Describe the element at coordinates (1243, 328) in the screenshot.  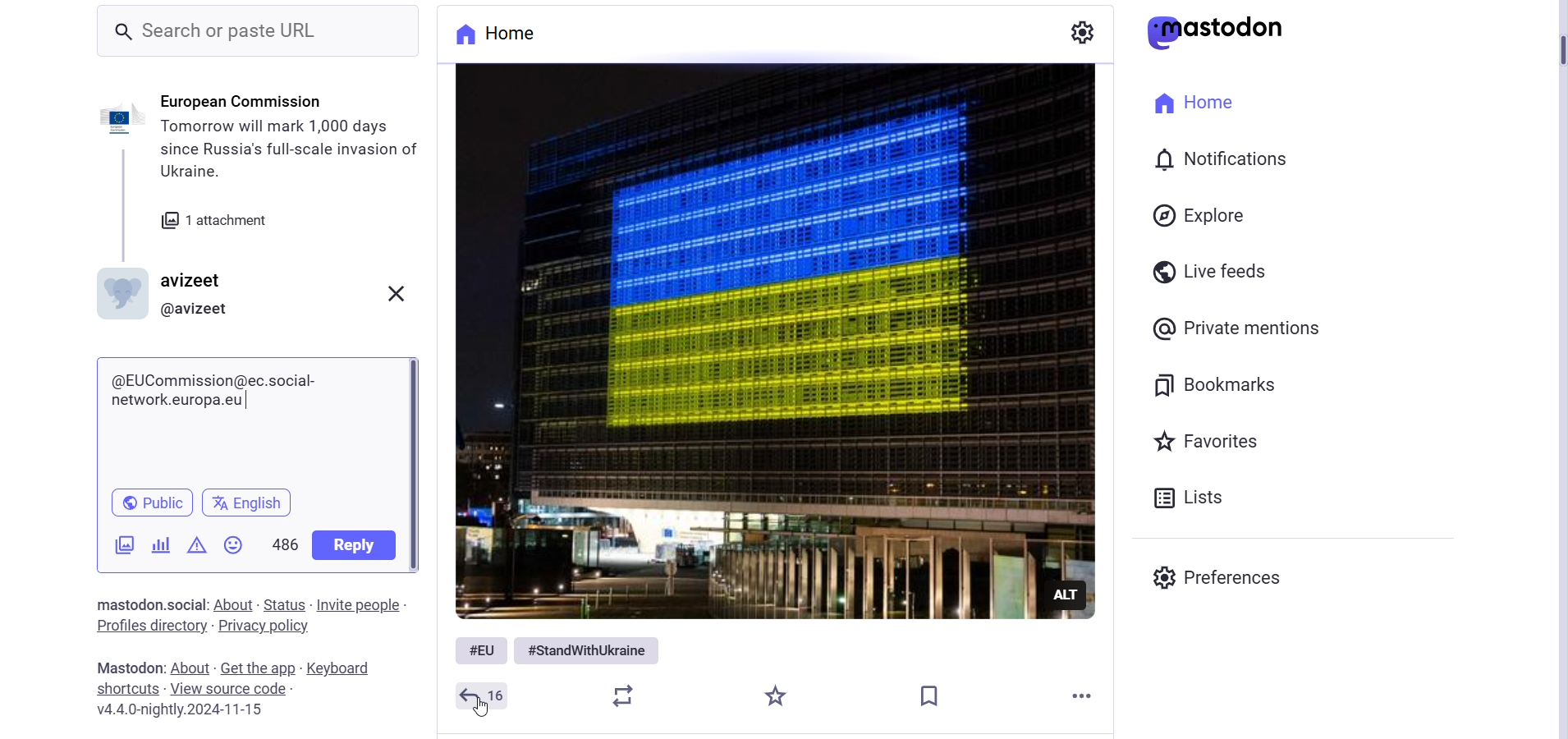
I see `Private Mentions` at that location.